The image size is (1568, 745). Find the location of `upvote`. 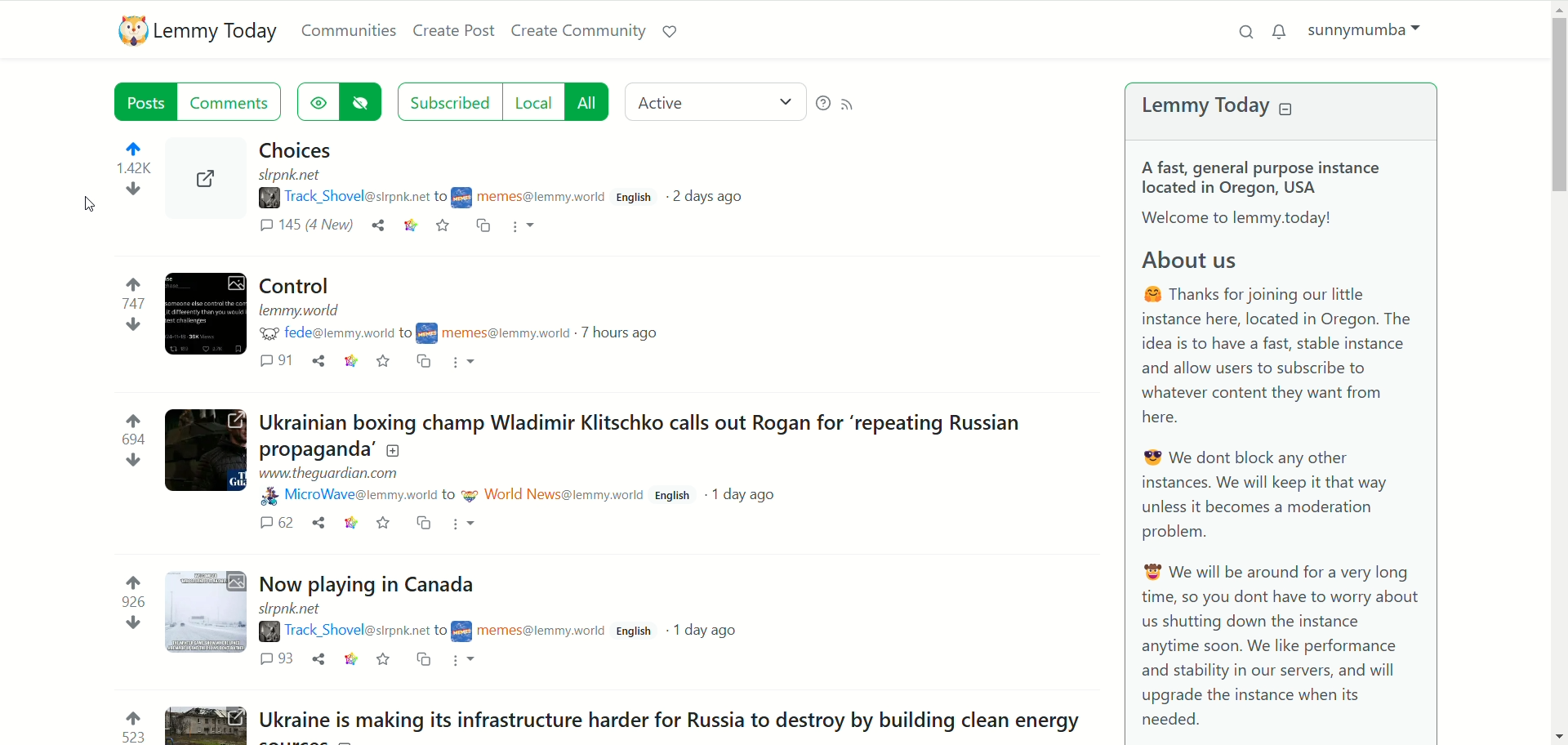

upvote is located at coordinates (138, 149).